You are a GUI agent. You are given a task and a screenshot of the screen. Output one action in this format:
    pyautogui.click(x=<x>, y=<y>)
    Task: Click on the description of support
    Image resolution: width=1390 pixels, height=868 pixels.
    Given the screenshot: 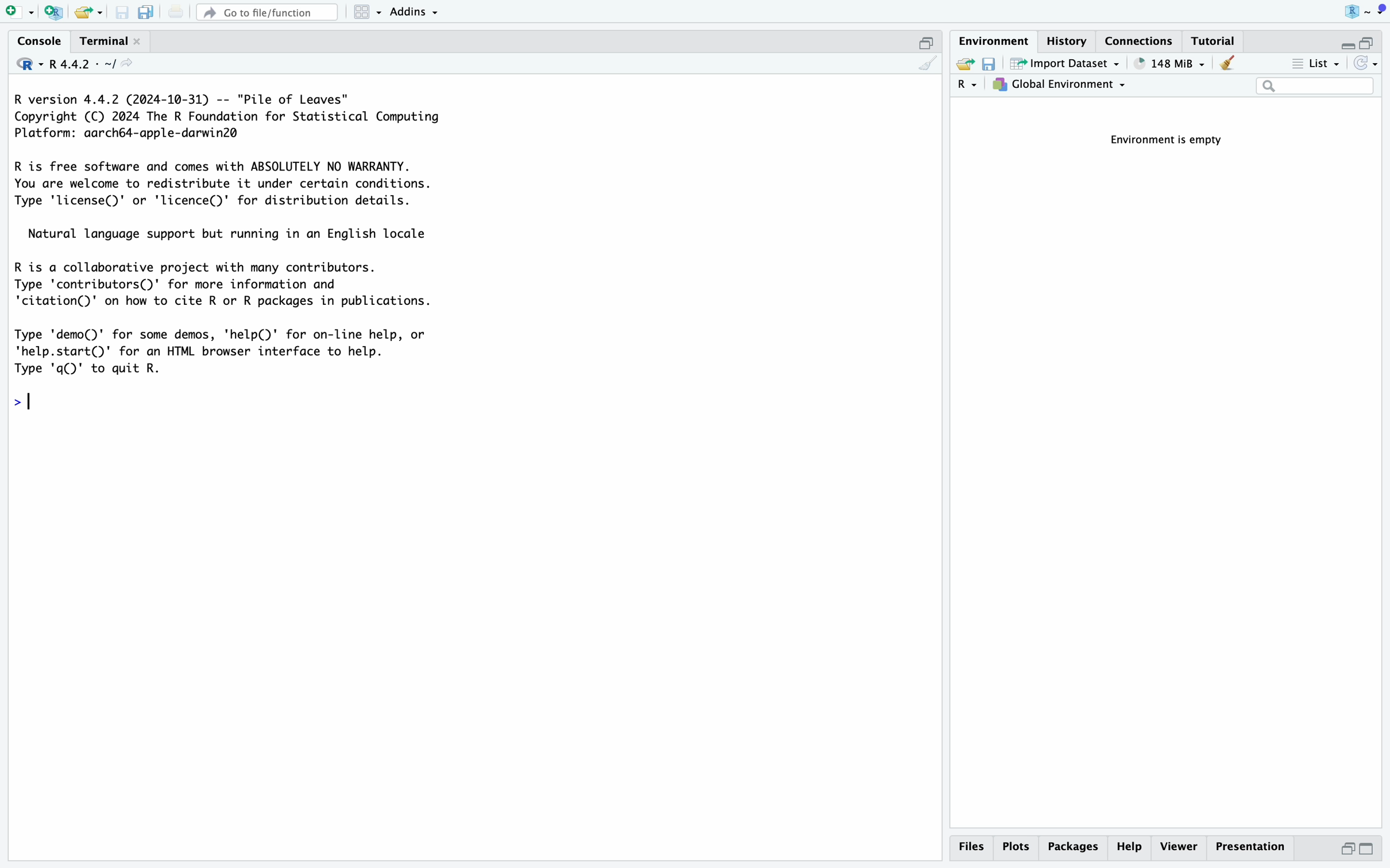 What is the action you would take?
    pyautogui.click(x=235, y=232)
    